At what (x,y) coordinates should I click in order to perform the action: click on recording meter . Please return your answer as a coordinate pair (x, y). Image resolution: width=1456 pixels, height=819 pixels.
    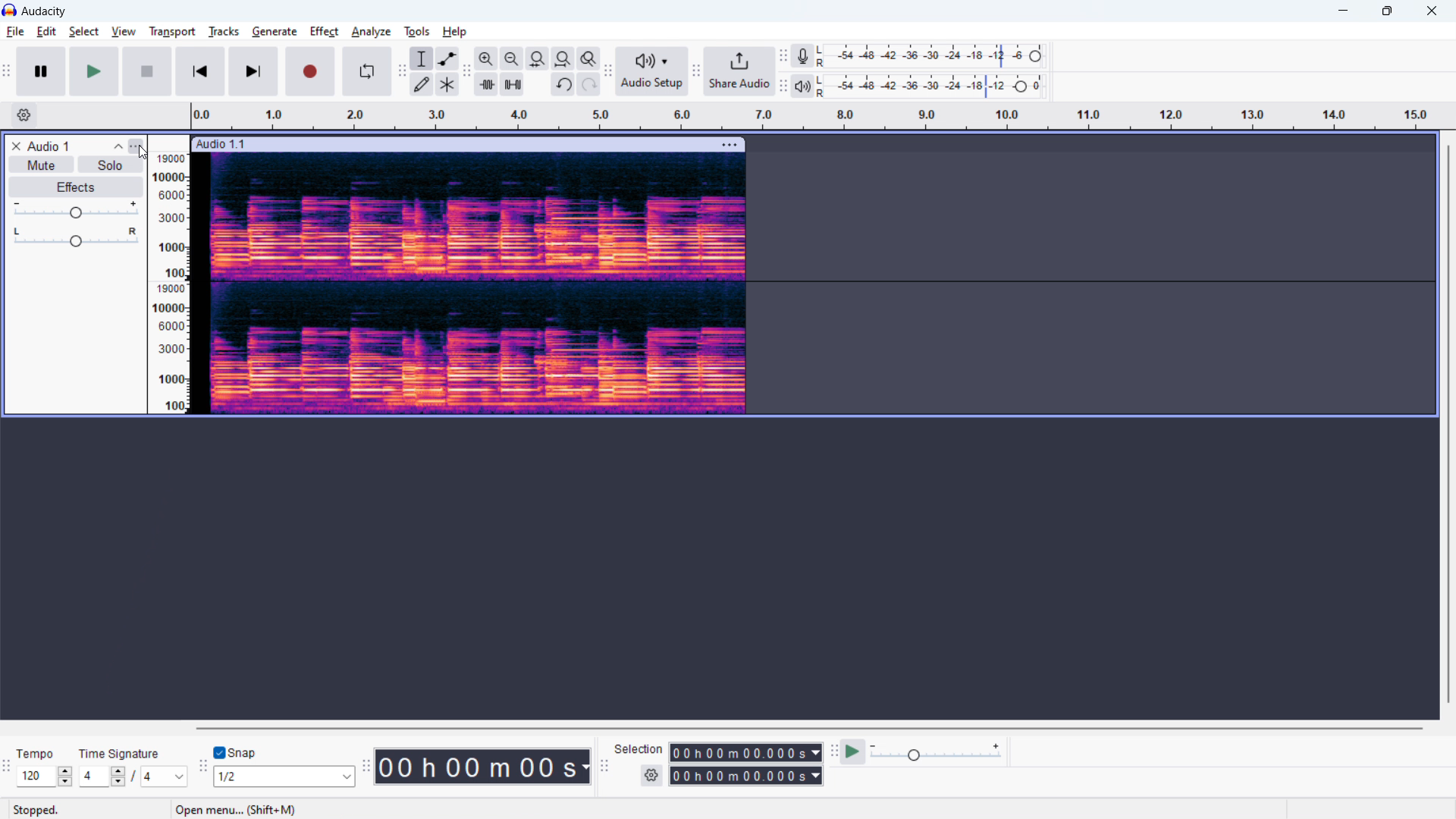
    Looking at the image, I should click on (807, 55).